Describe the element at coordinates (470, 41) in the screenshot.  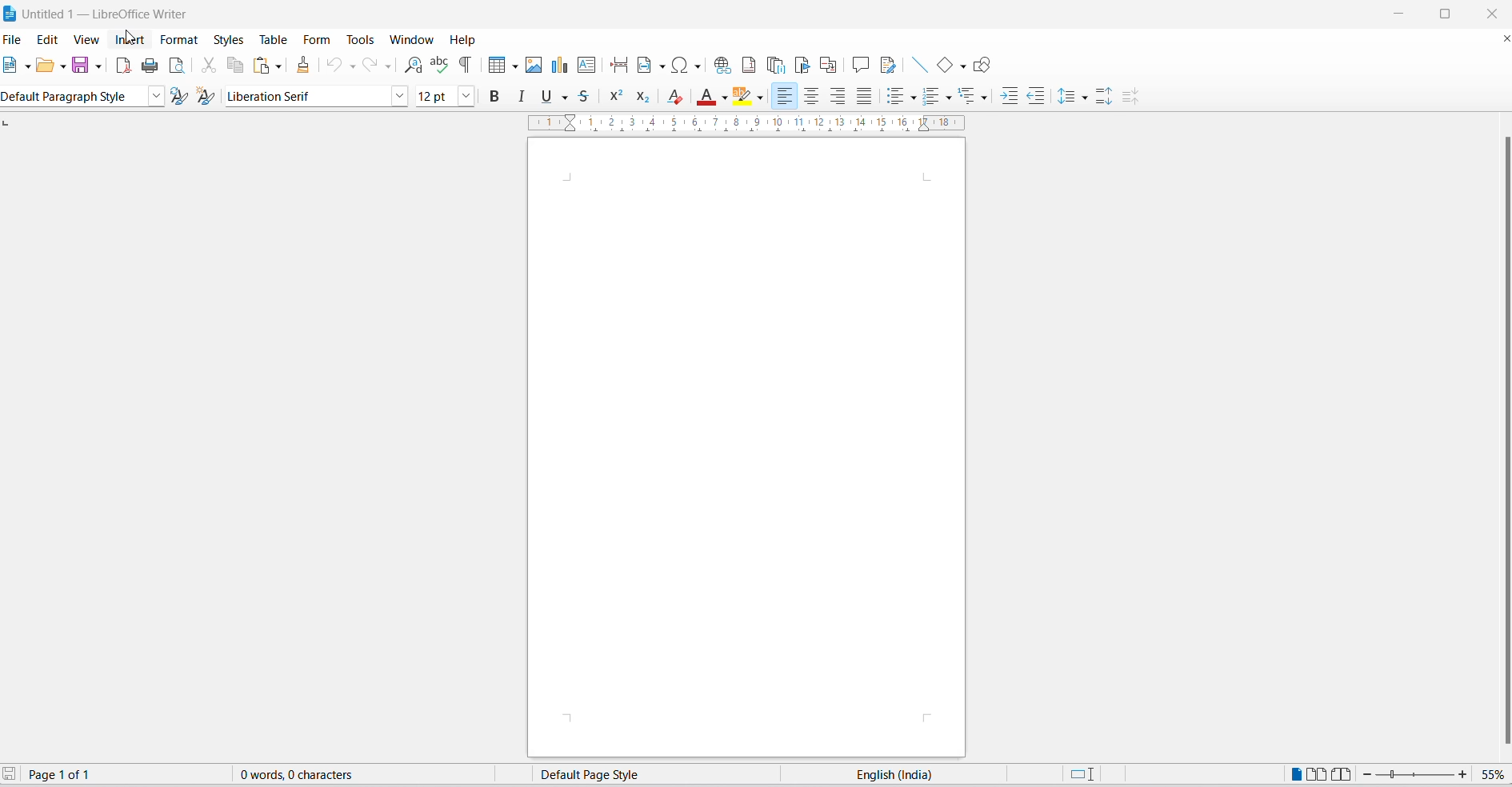
I see `help` at that location.